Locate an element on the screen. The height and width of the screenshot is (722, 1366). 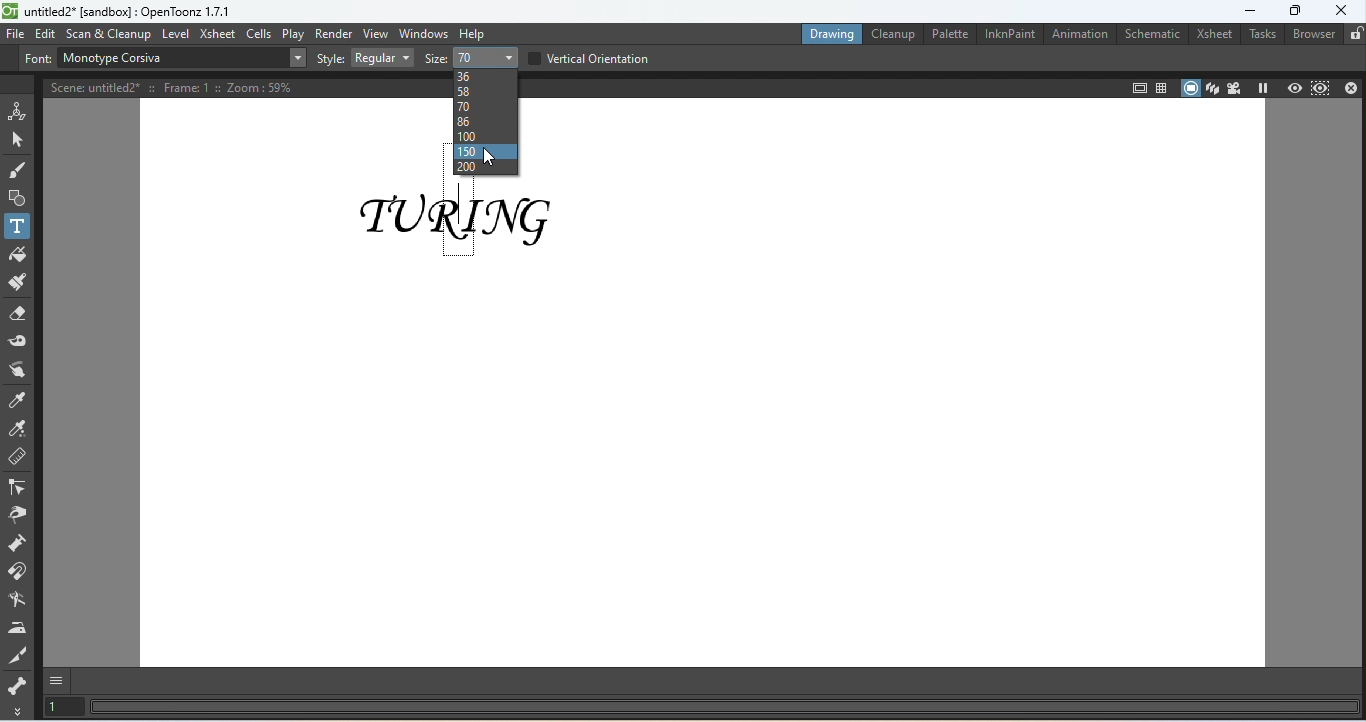
Maximize is located at coordinates (1296, 11).